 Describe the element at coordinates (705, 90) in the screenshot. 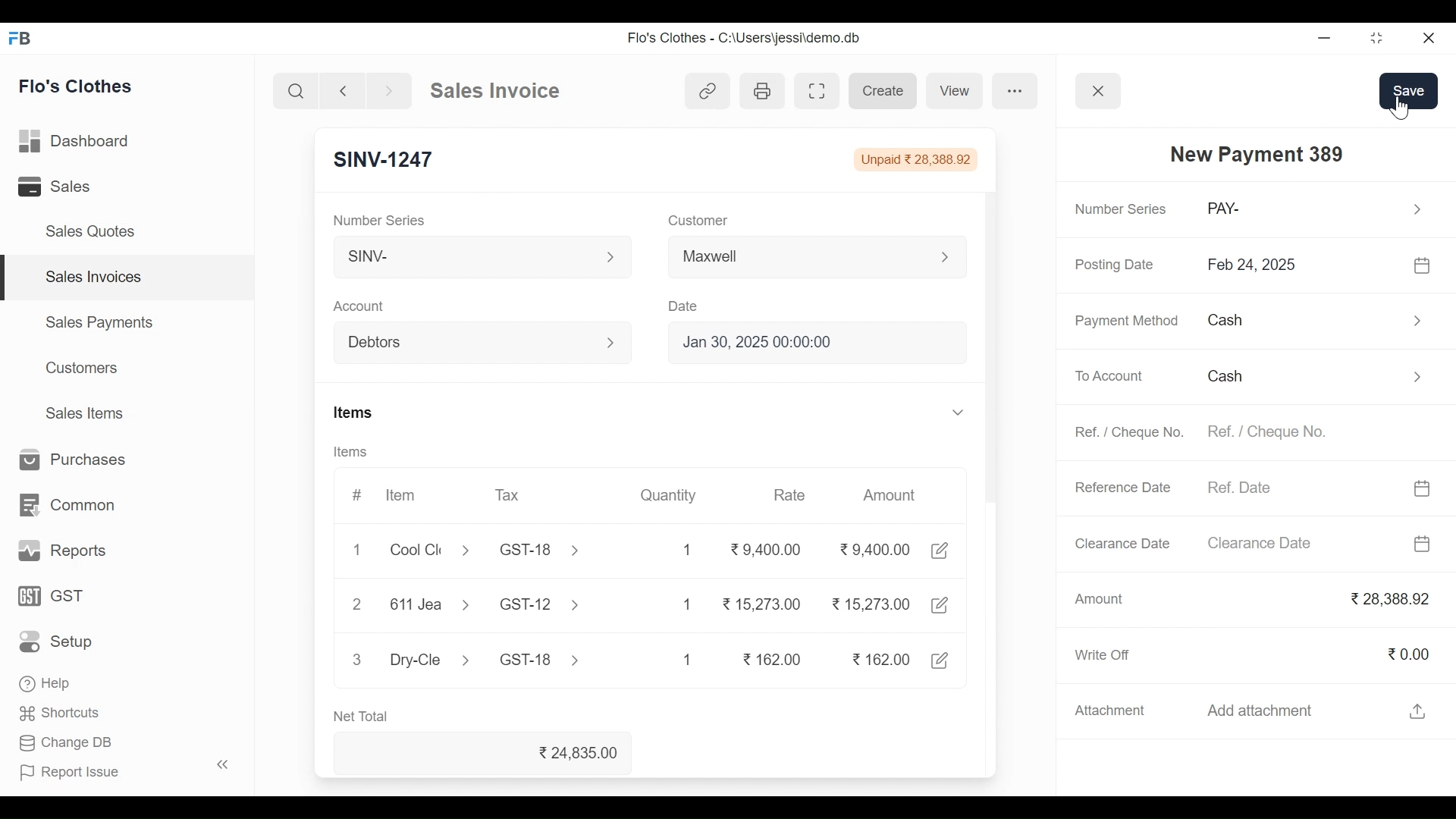

I see `View link references` at that location.